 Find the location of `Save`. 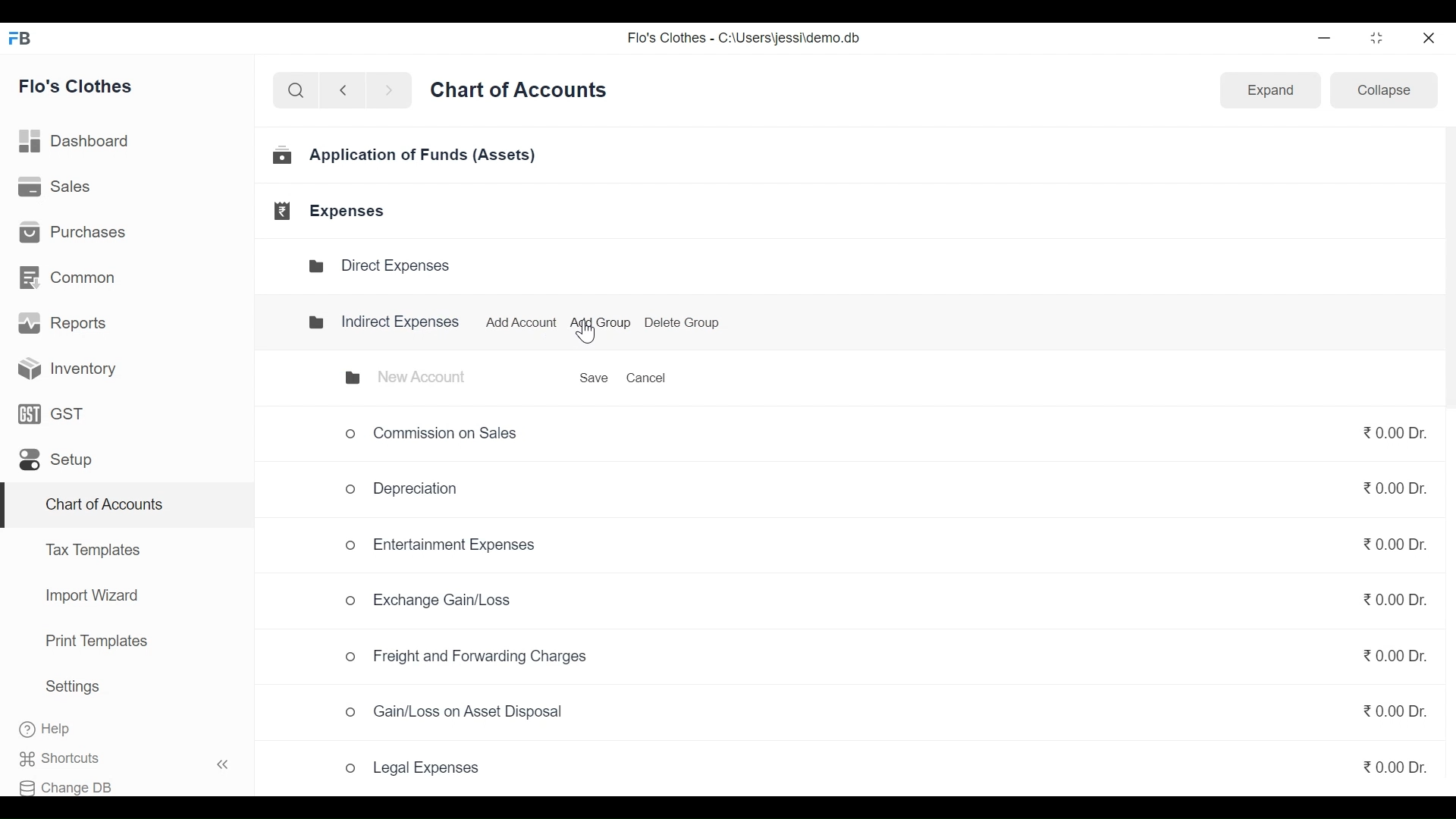

Save is located at coordinates (588, 378).